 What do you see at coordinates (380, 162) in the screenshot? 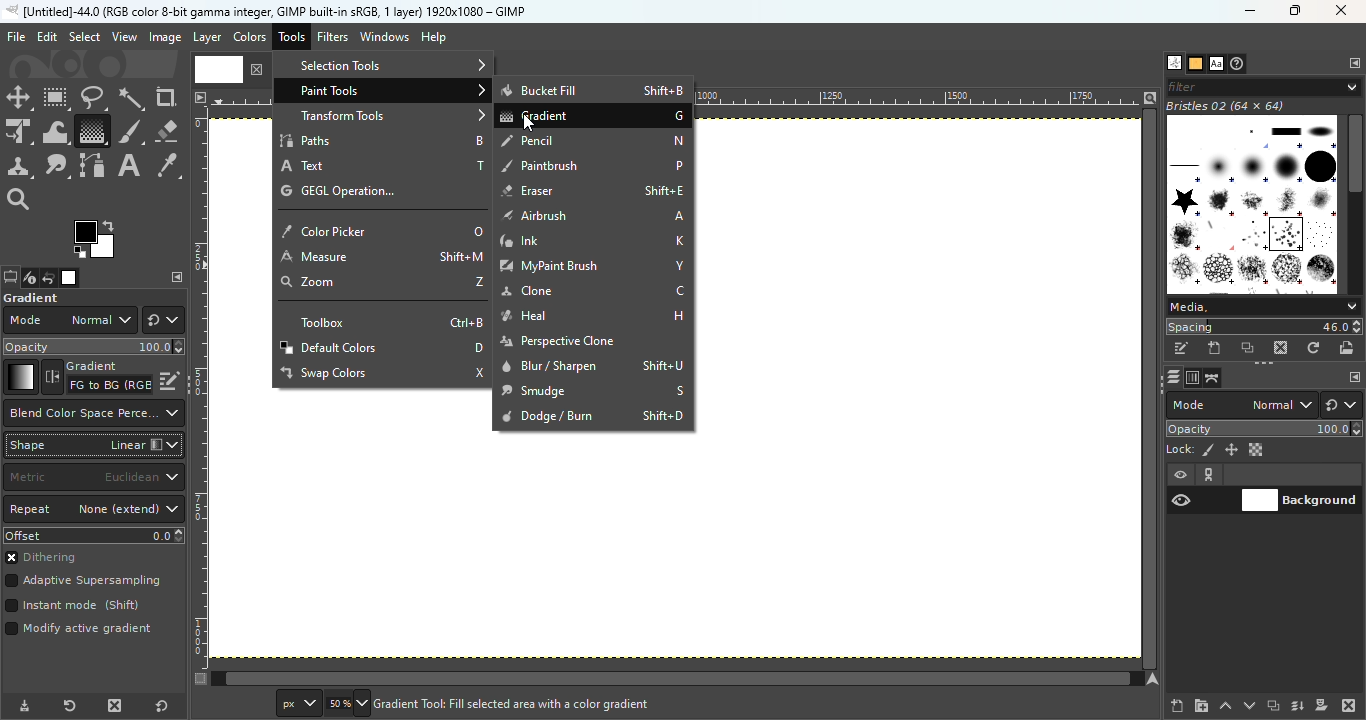
I see `Text` at bounding box center [380, 162].